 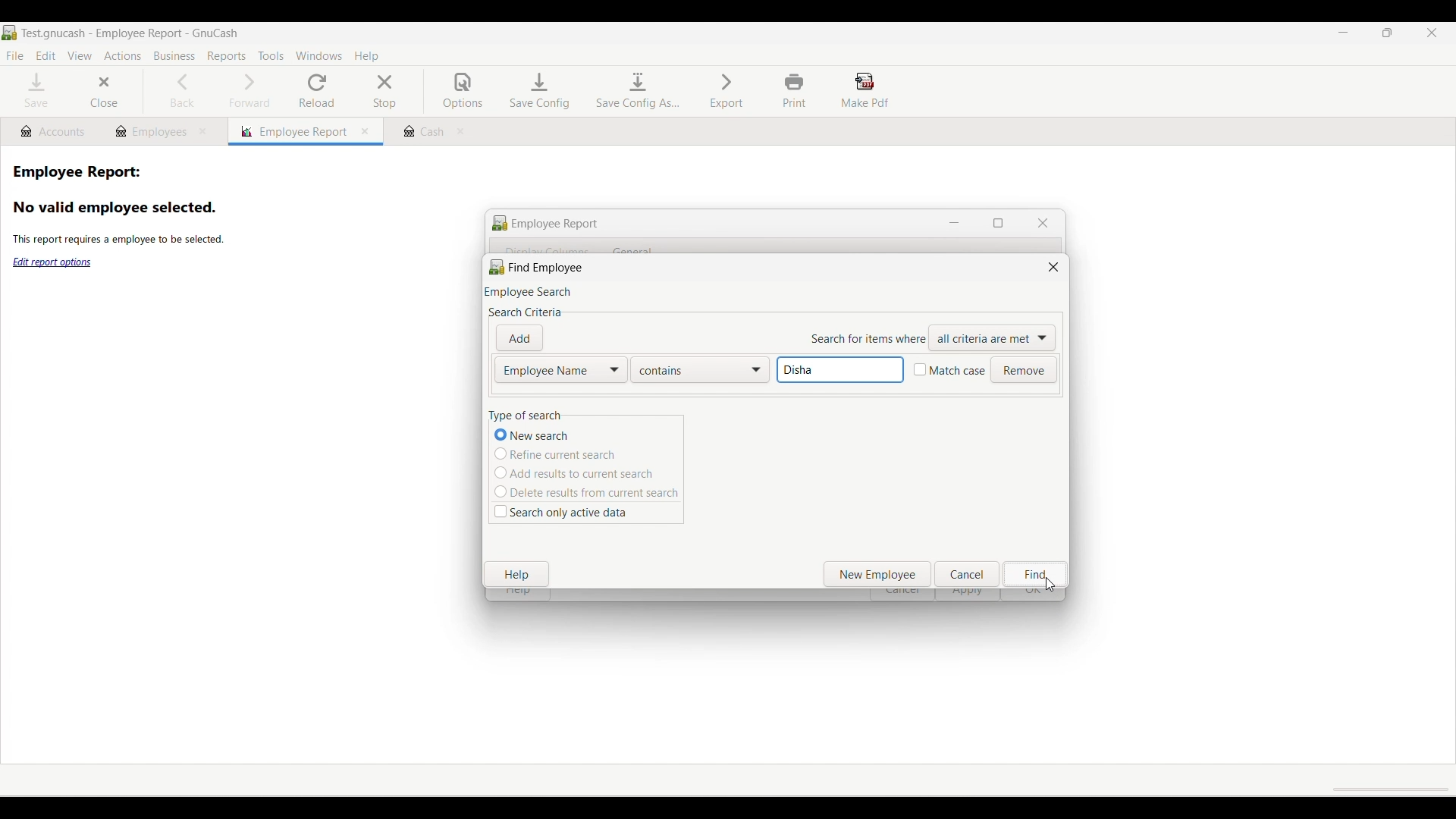 What do you see at coordinates (840, 370) in the screenshot?
I see `Typed name of the employee` at bounding box center [840, 370].